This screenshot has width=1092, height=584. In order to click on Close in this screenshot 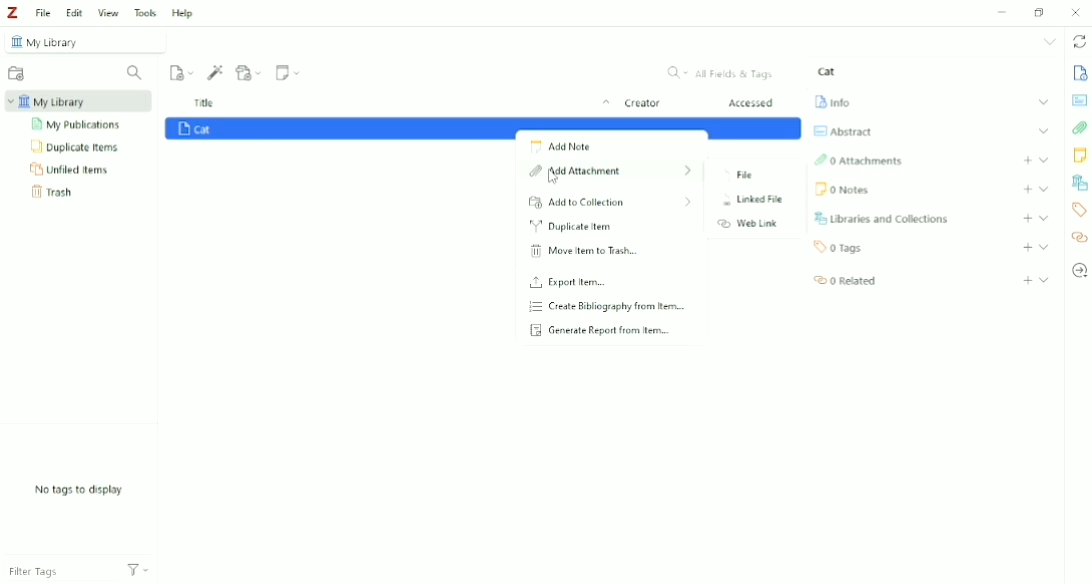, I will do `click(1075, 12)`.